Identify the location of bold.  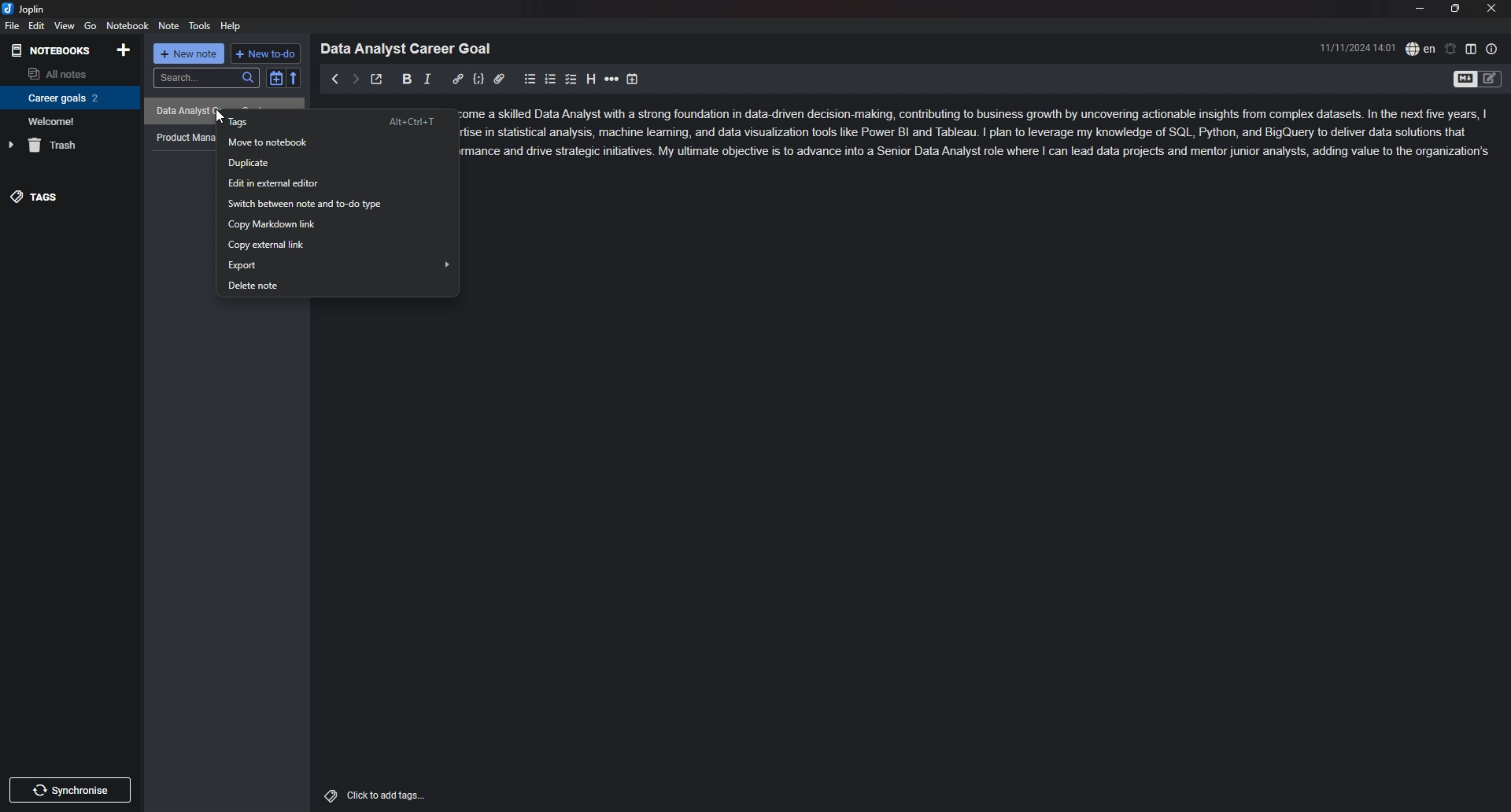
(408, 79).